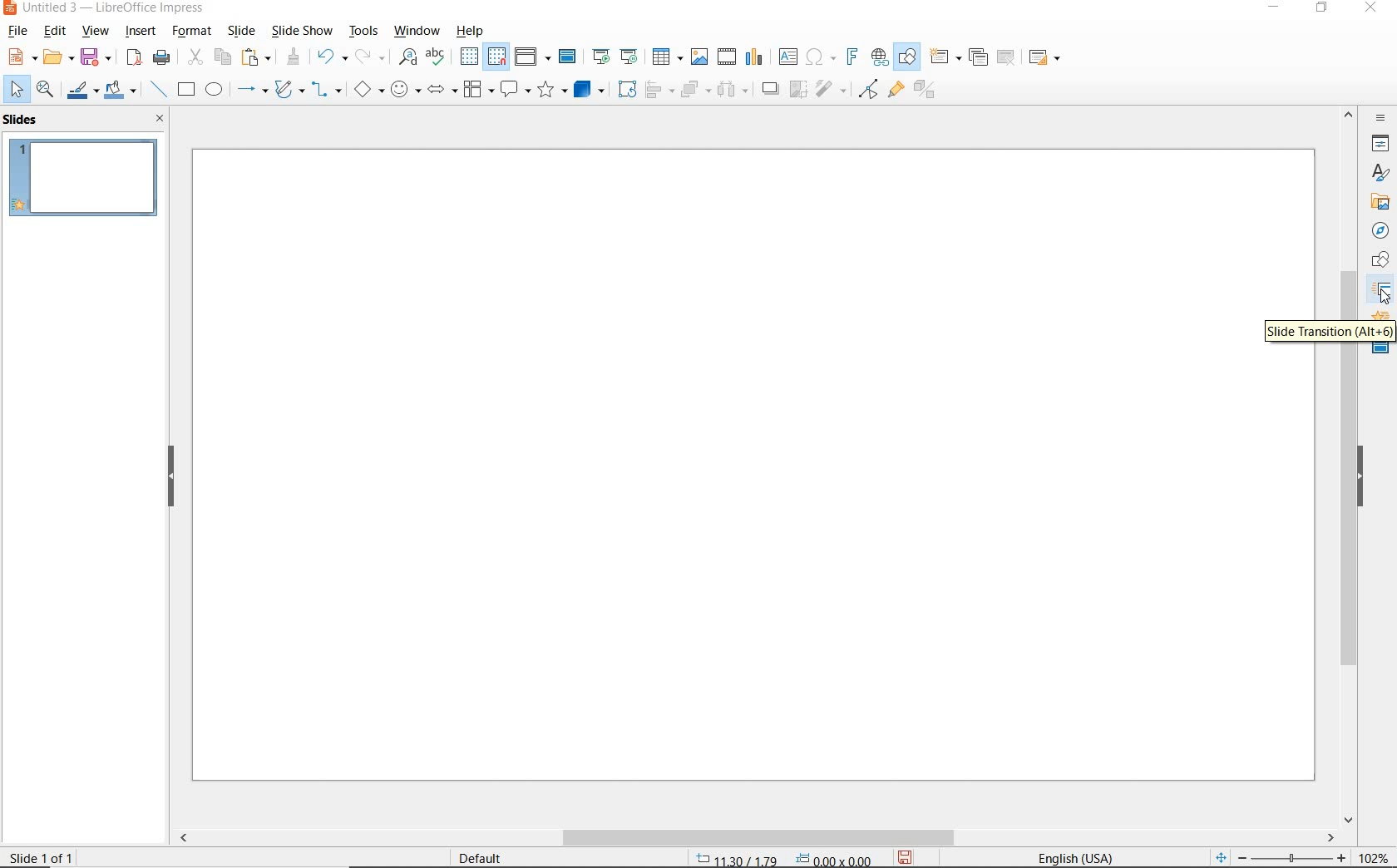 The height and width of the screenshot is (868, 1397). Describe the element at coordinates (42, 857) in the screenshot. I see `SLIDE 1 OF 1` at that location.